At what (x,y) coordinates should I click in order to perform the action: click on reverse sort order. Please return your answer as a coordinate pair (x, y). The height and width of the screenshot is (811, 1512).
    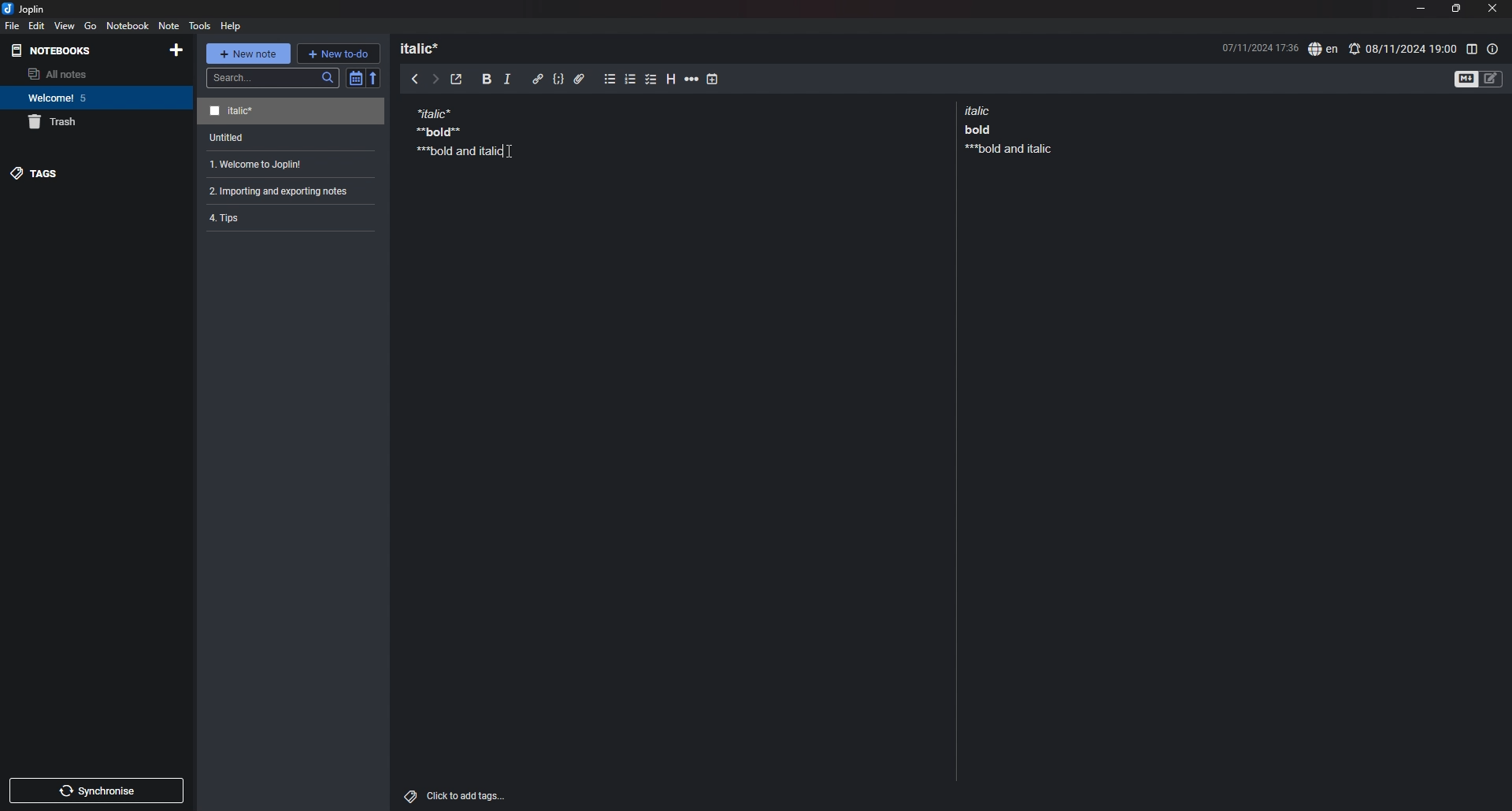
    Looking at the image, I should click on (374, 77).